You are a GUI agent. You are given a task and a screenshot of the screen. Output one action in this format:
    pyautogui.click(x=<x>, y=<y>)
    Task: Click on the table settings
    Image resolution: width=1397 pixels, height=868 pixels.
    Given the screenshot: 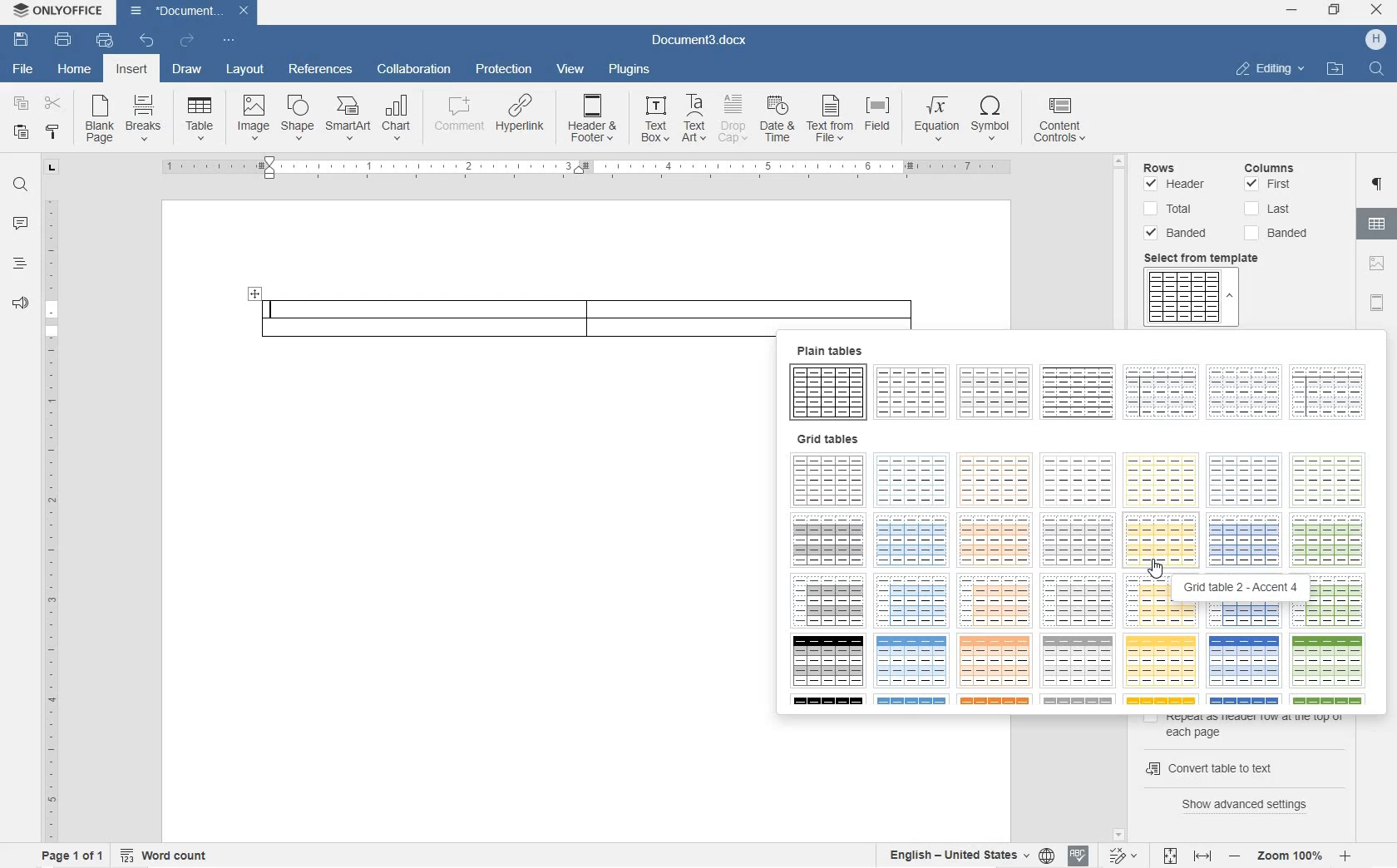 What is the action you would take?
    pyautogui.click(x=1379, y=226)
    